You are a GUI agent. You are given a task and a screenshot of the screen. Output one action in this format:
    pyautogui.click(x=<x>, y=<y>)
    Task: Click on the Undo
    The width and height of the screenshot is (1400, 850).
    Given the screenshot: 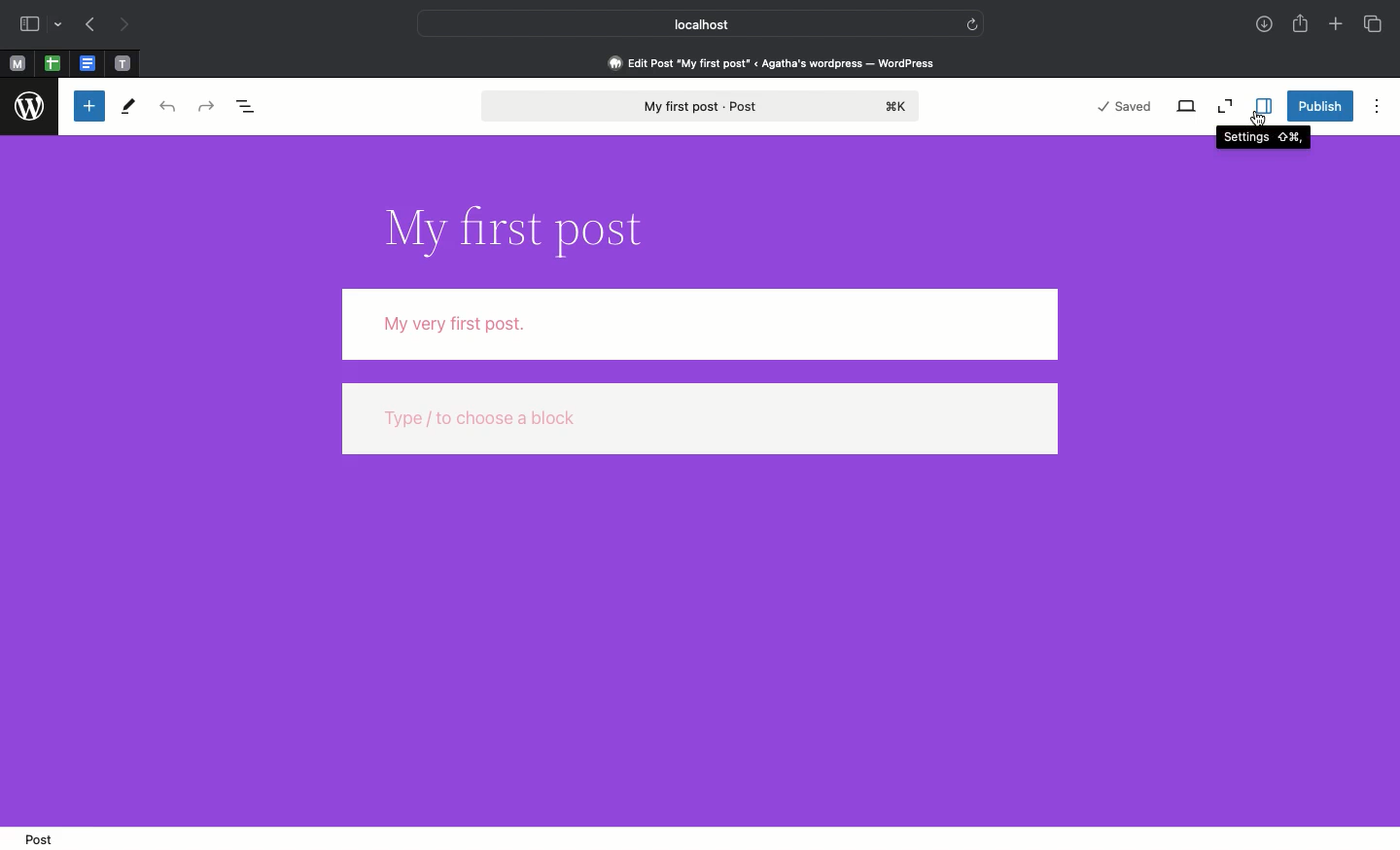 What is the action you would take?
    pyautogui.click(x=167, y=105)
    